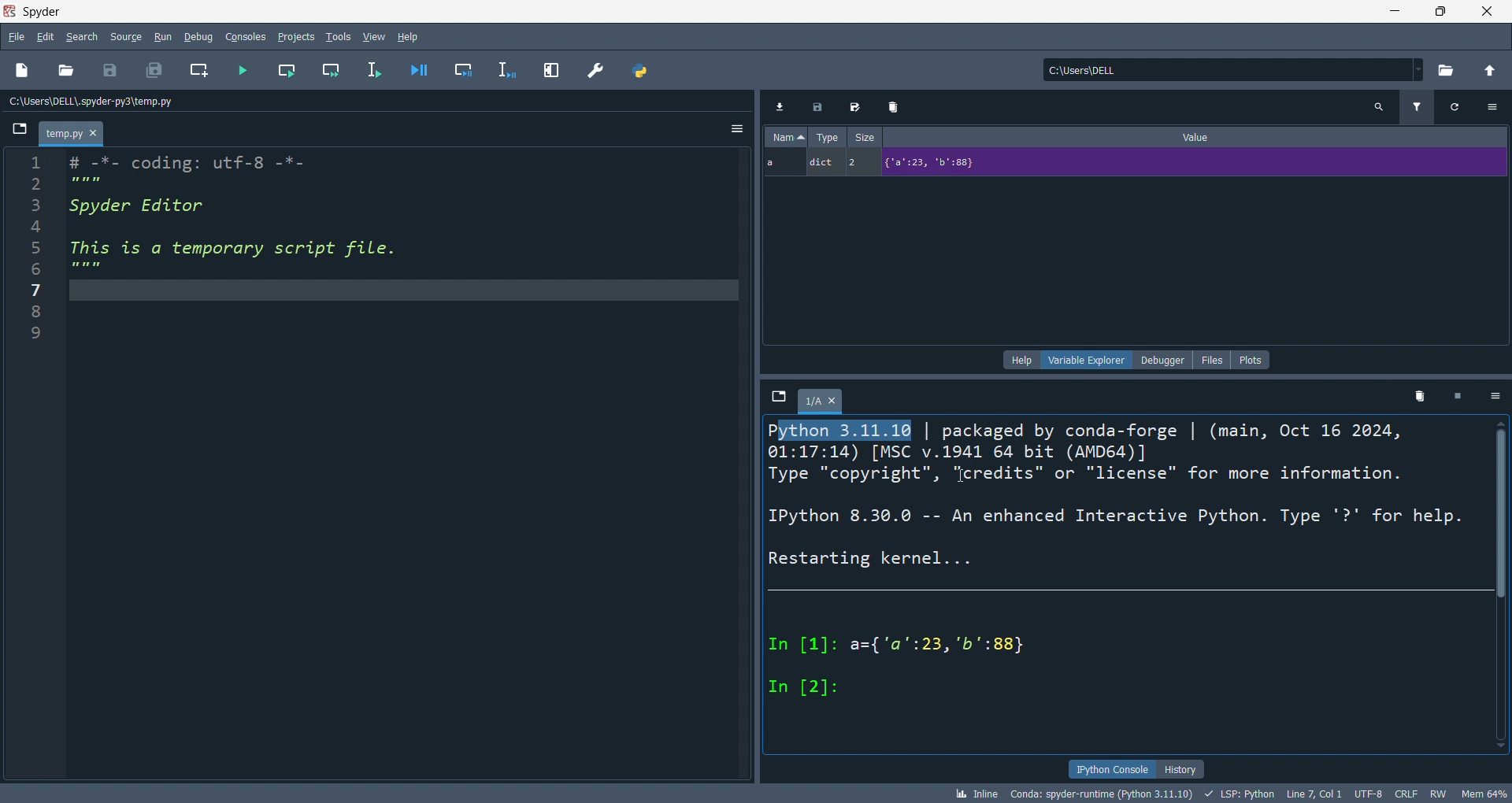 This screenshot has height=803, width=1512. Describe the element at coordinates (31, 464) in the screenshot. I see `line number` at that location.